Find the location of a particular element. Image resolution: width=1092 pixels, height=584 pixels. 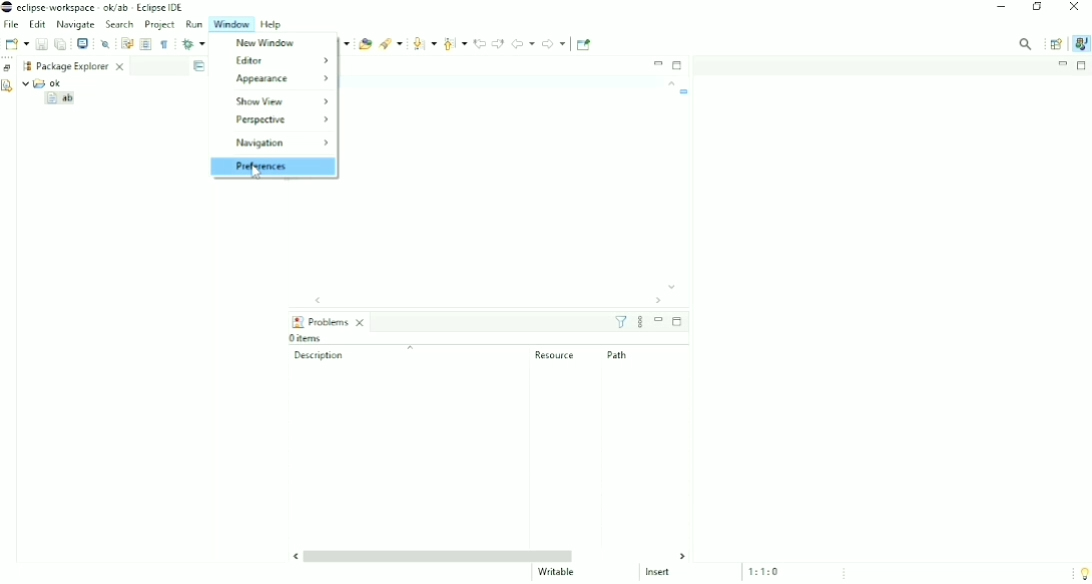

Horizontal scrollbar is located at coordinates (484, 300).